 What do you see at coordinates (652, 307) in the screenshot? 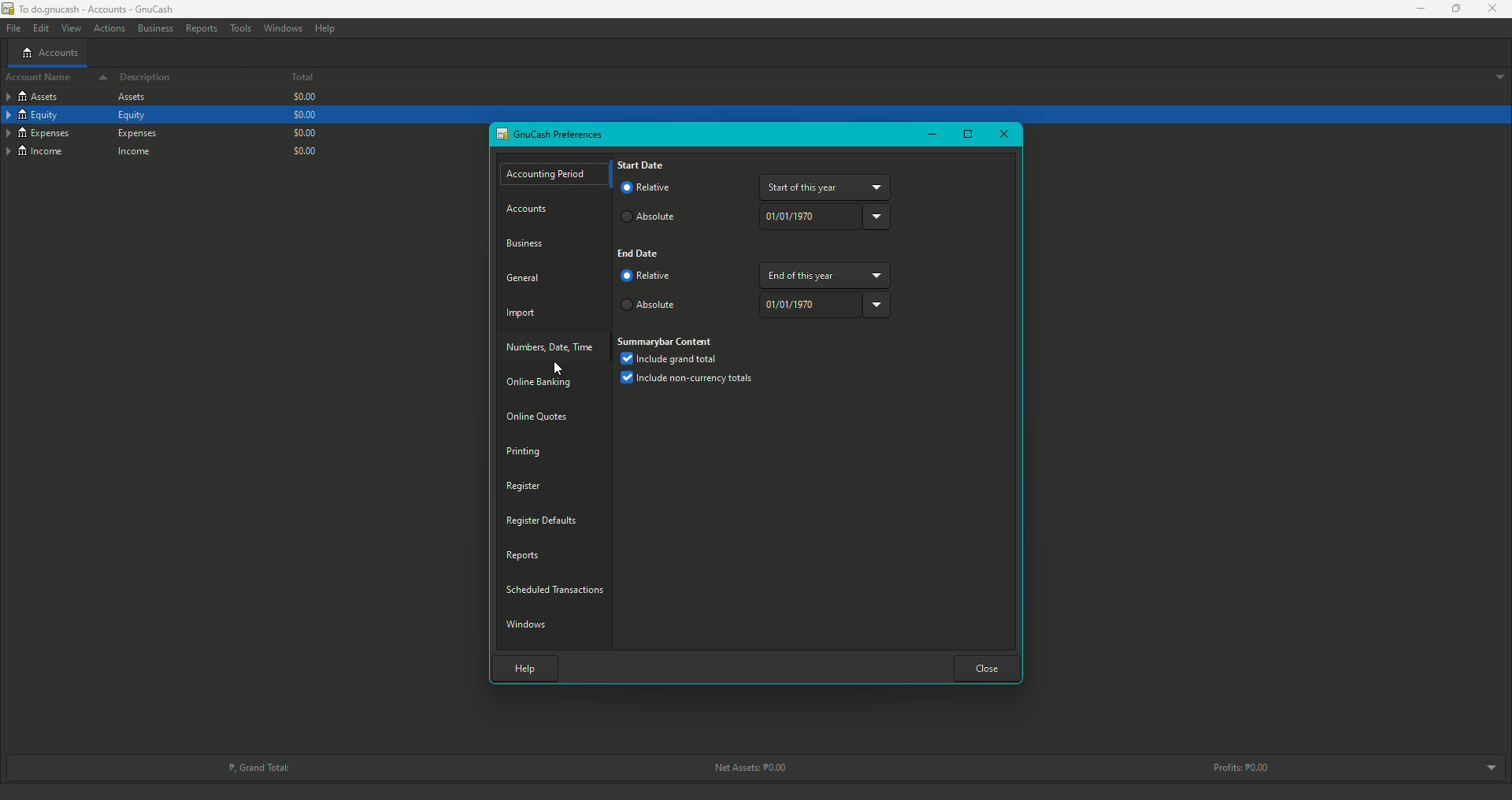
I see `Absolute` at bounding box center [652, 307].